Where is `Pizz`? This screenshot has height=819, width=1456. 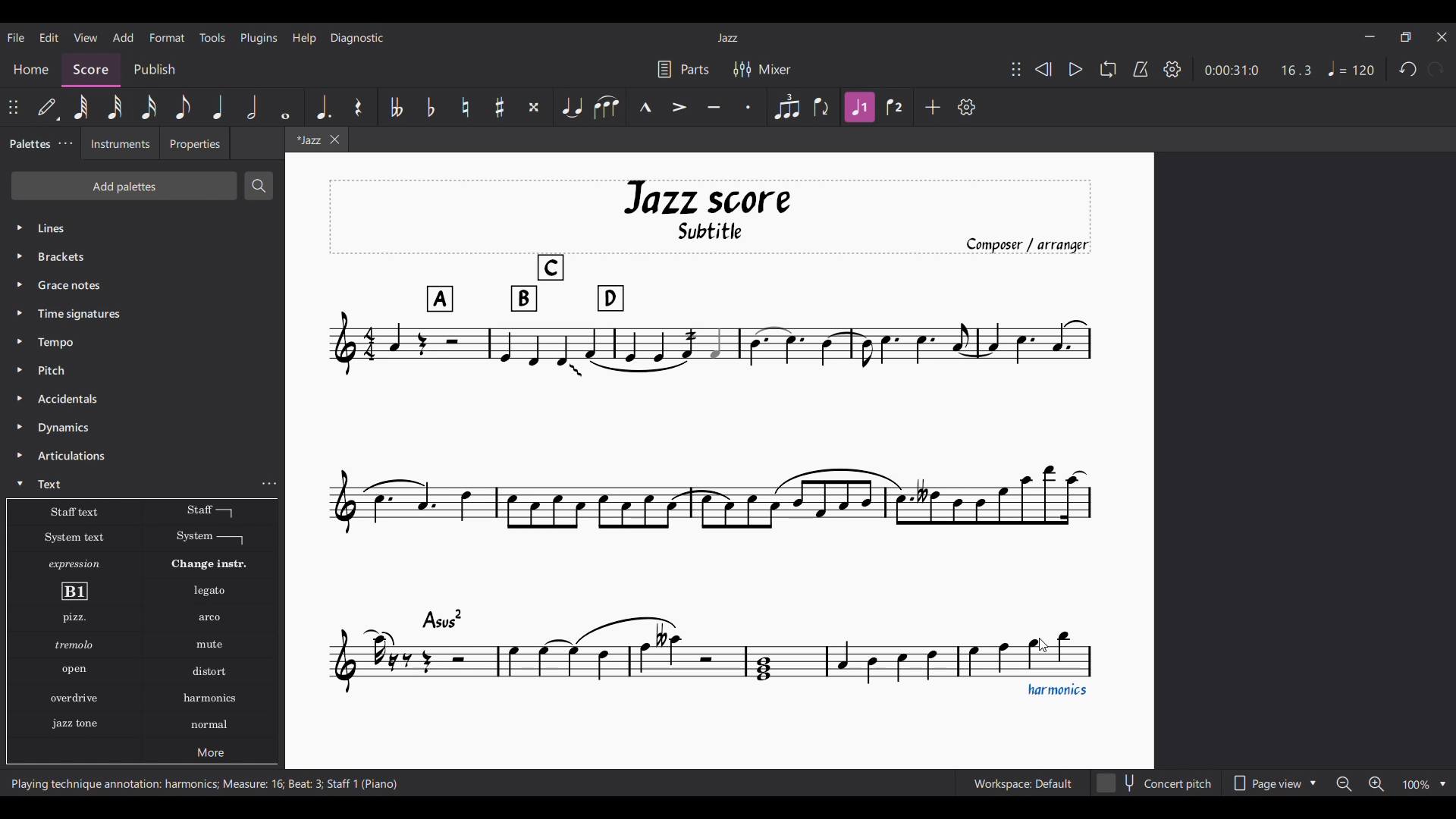
Pizz is located at coordinates (73, 619).